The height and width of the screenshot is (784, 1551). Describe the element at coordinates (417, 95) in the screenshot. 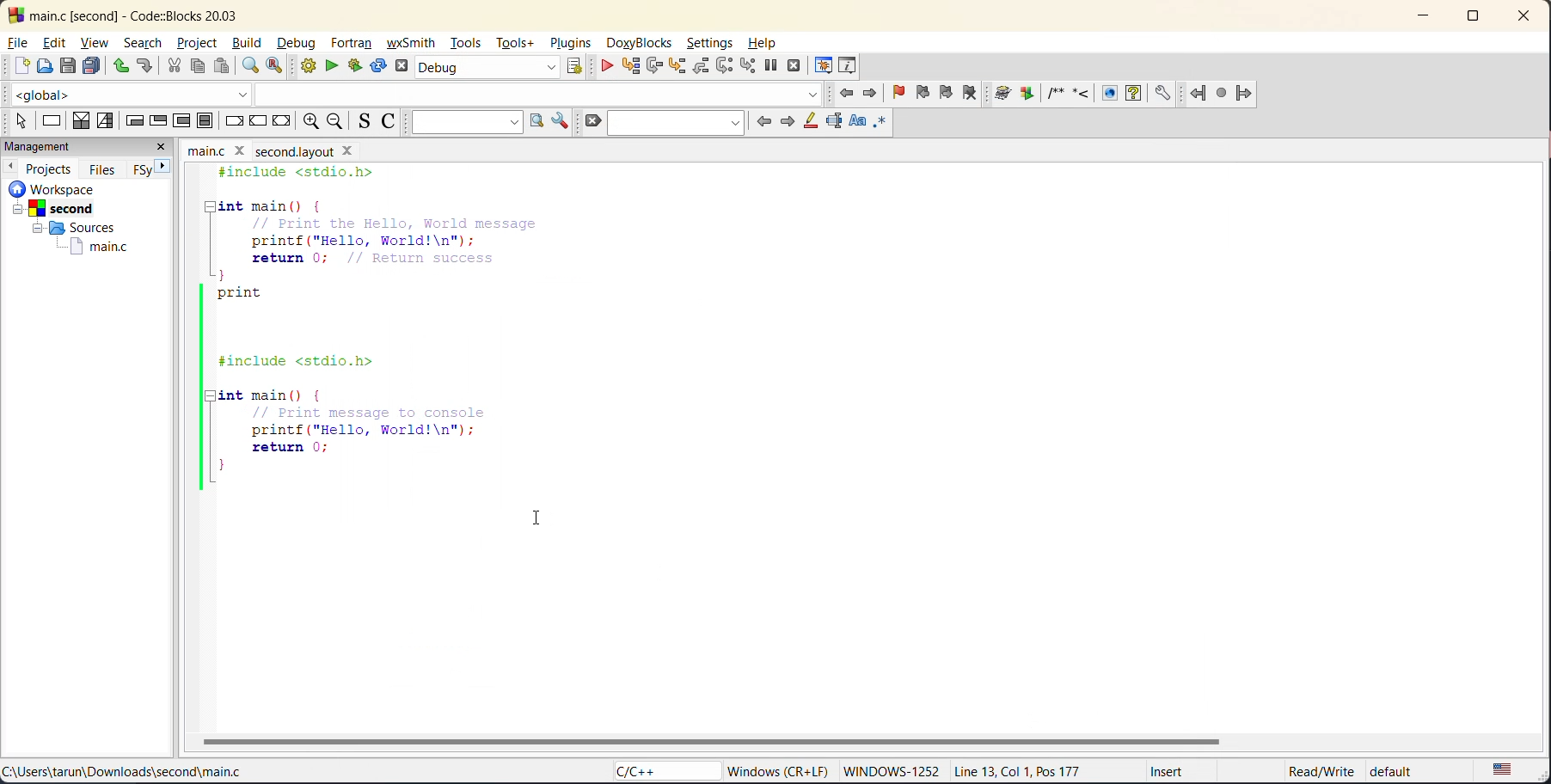

I see `code completion compiler` at that location.